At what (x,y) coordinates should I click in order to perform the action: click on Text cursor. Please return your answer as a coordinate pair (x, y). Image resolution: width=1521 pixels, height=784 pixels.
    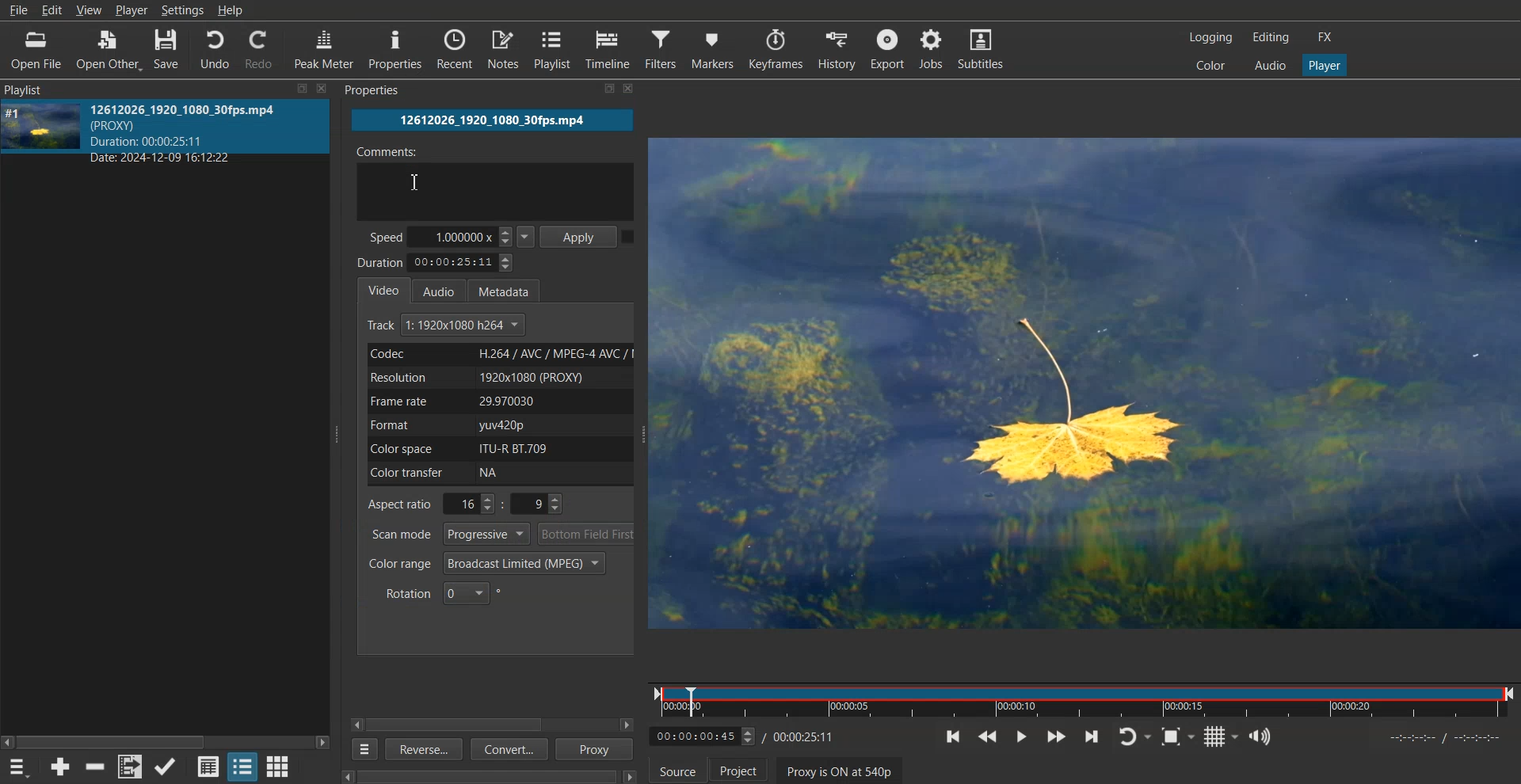
    Looking at the image, I should click on (414, 182).